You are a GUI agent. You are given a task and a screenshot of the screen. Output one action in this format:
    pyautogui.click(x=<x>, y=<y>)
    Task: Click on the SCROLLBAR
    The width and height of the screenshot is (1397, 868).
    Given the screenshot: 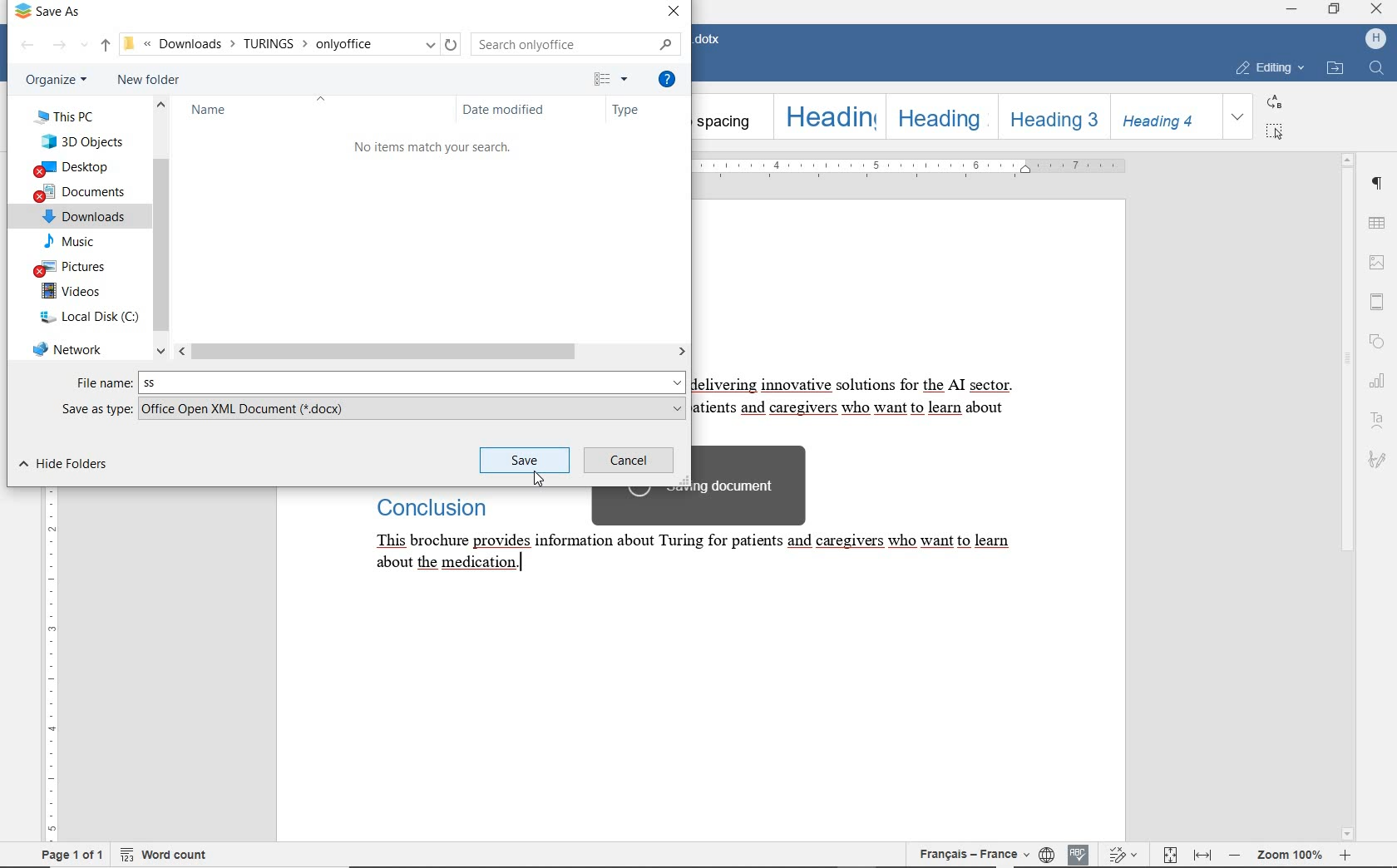 What is the action you would take?
    pyautogui.click(x=431, y=352)
    